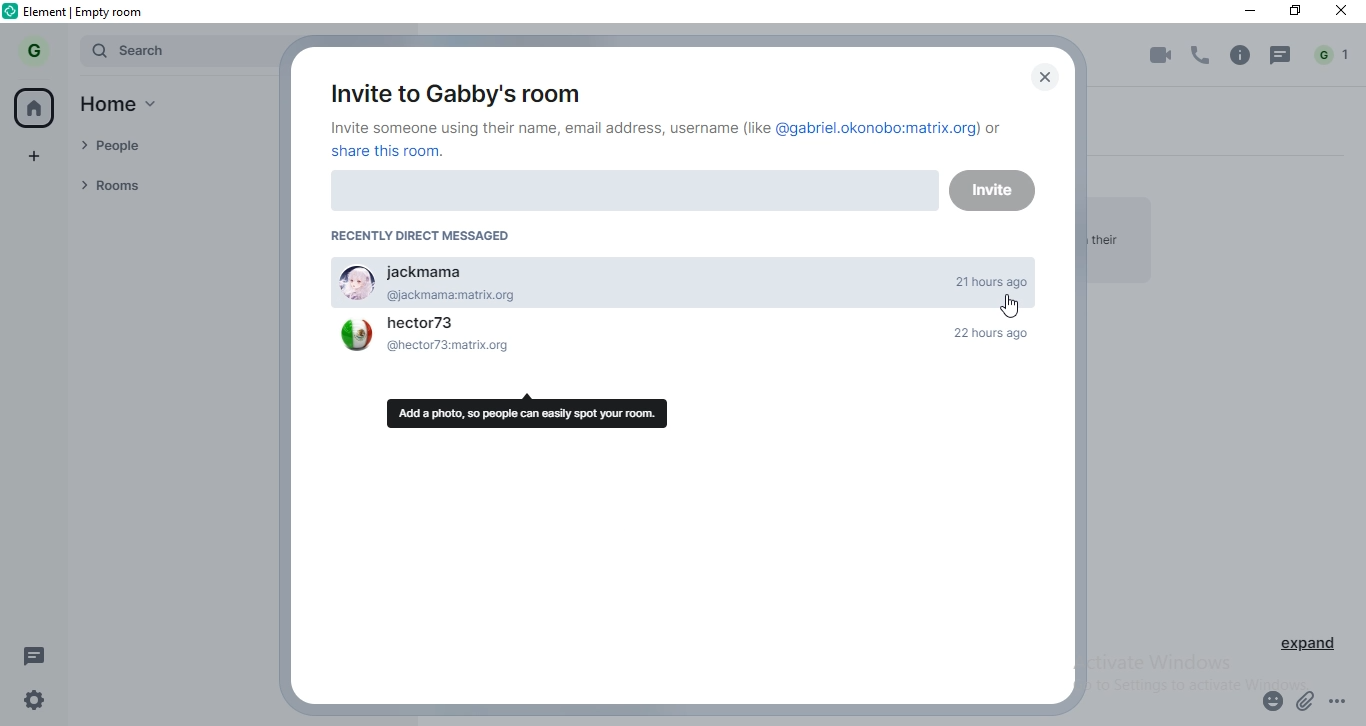 The width and height of the screenshot is (1366, 726). What do you see at coordinates (1310, 647) in the screenshot?
I see `expand` at bounding box center [1310, 647].